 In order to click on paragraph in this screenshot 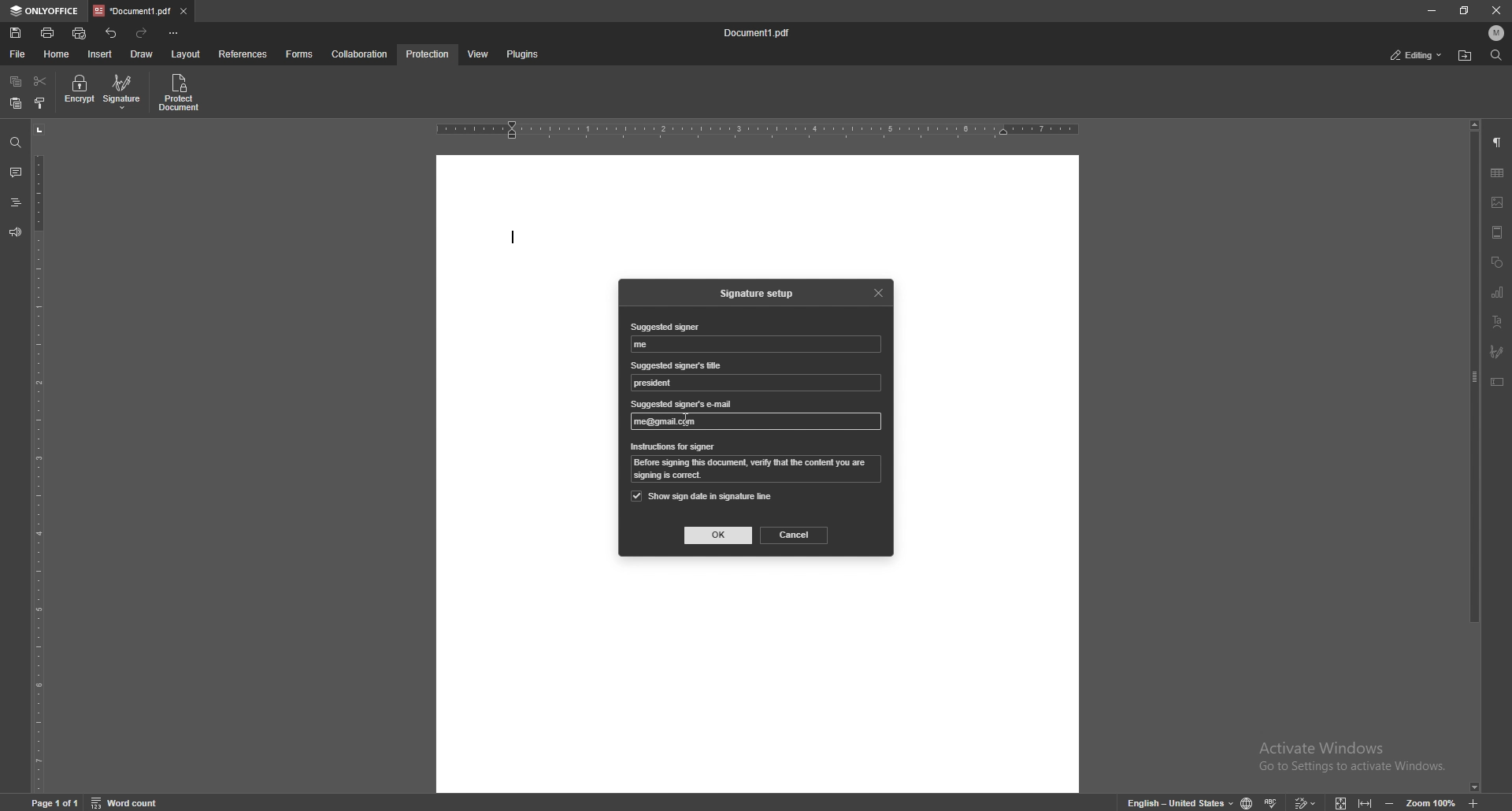, I will do `click(1497, 143)`.